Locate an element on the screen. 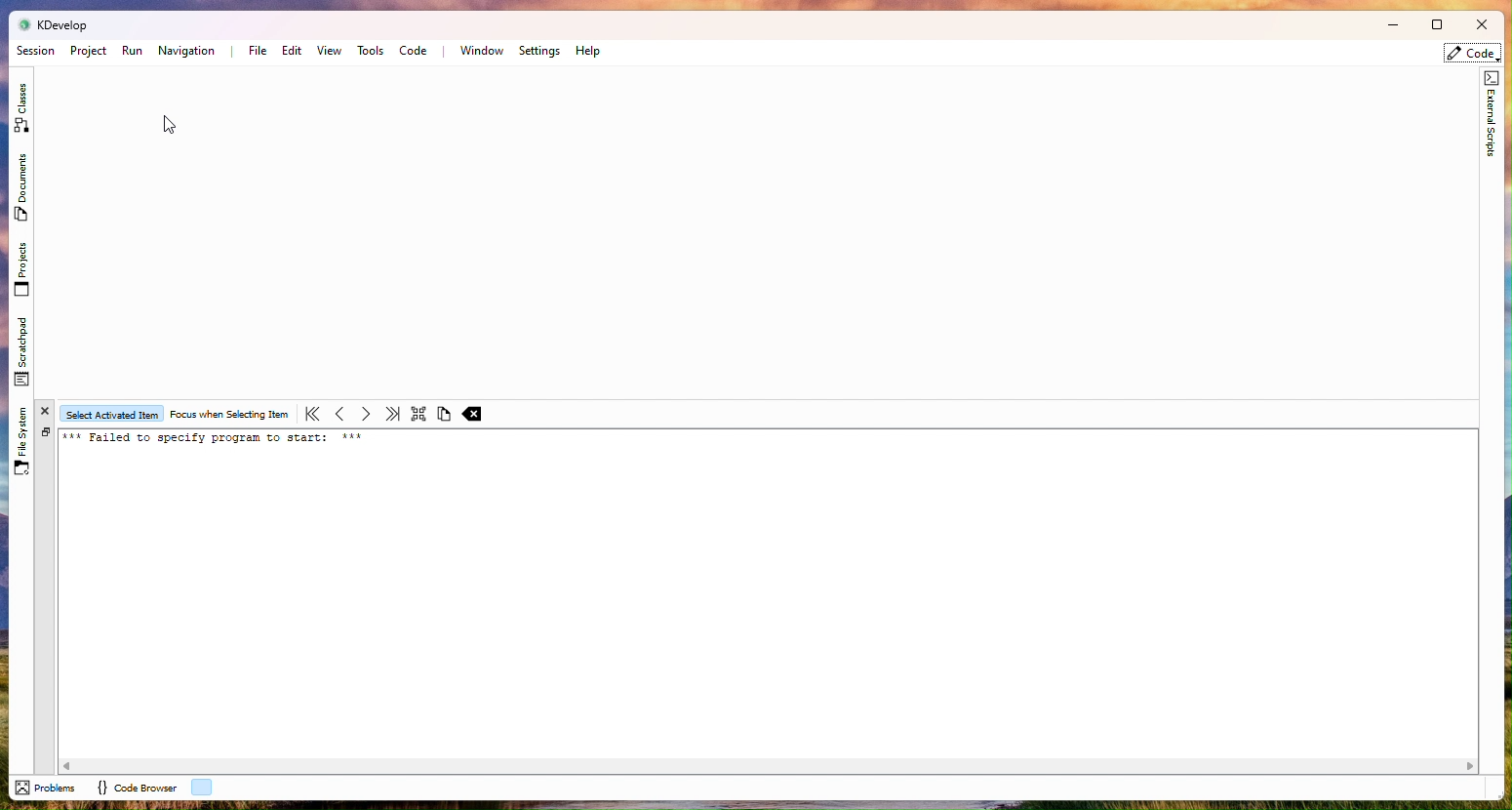  Minimize is located at coordinates (1386, 26).